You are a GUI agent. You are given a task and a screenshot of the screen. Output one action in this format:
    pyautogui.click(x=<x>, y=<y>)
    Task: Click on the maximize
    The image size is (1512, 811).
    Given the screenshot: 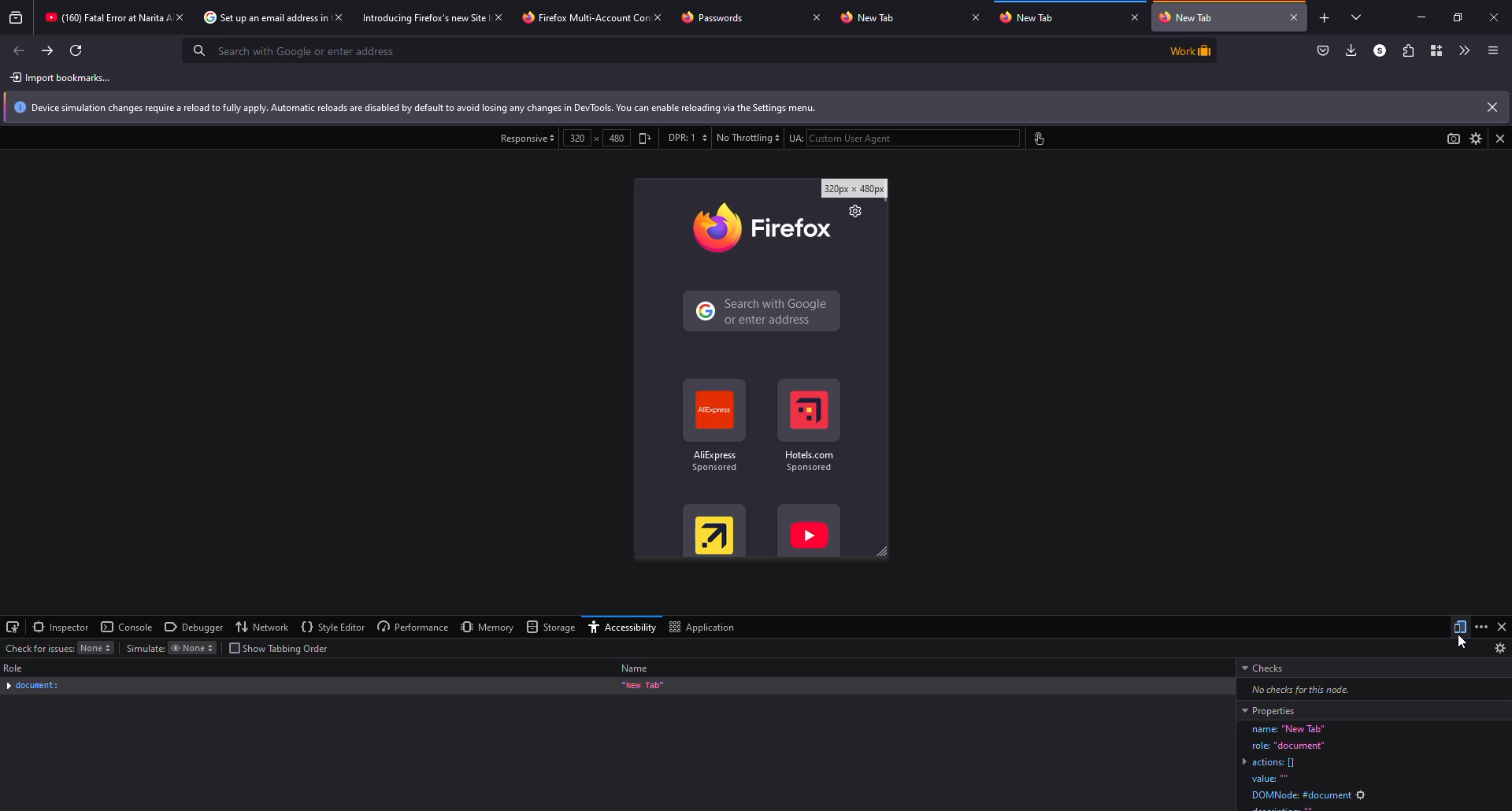 What is the action you would take?
    pyautogui.click(x=1457, y=17)
    